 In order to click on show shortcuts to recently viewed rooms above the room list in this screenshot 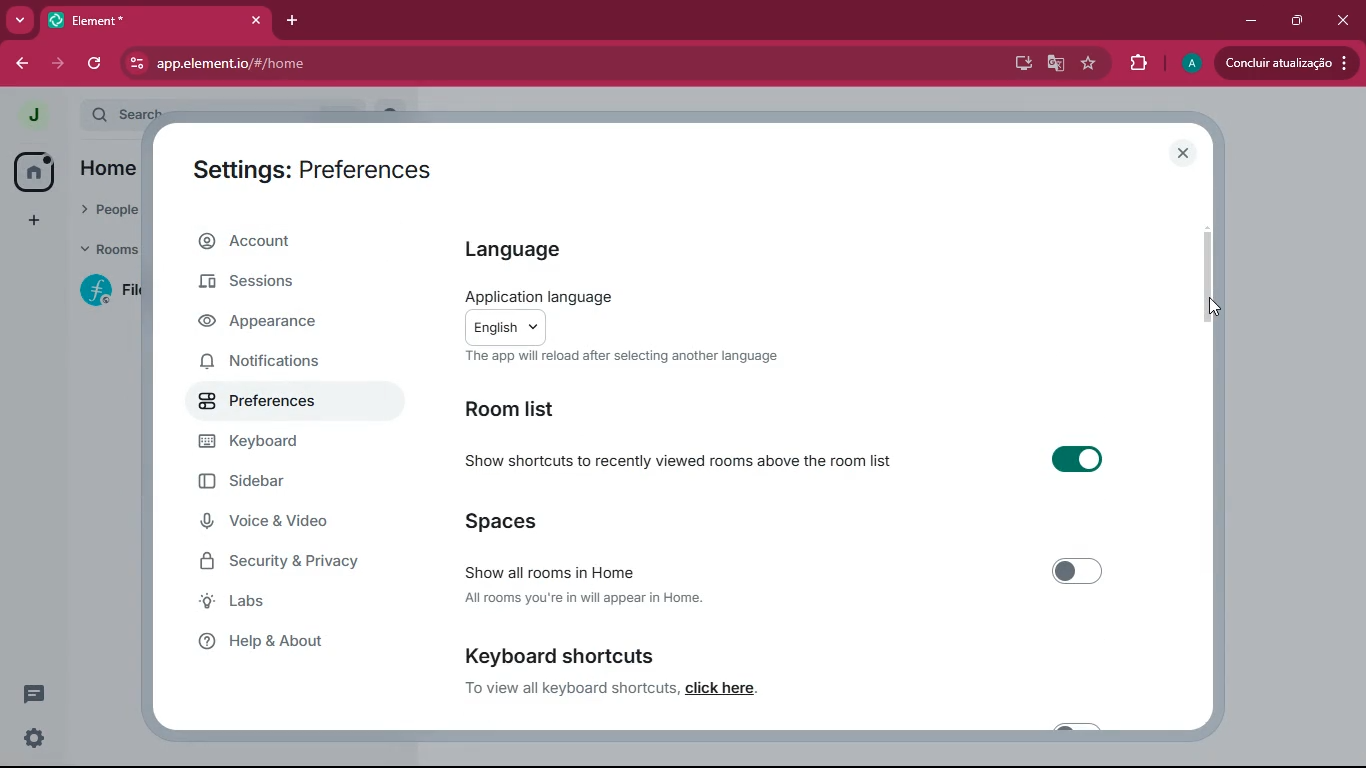, I will do `click(677, 459)`.